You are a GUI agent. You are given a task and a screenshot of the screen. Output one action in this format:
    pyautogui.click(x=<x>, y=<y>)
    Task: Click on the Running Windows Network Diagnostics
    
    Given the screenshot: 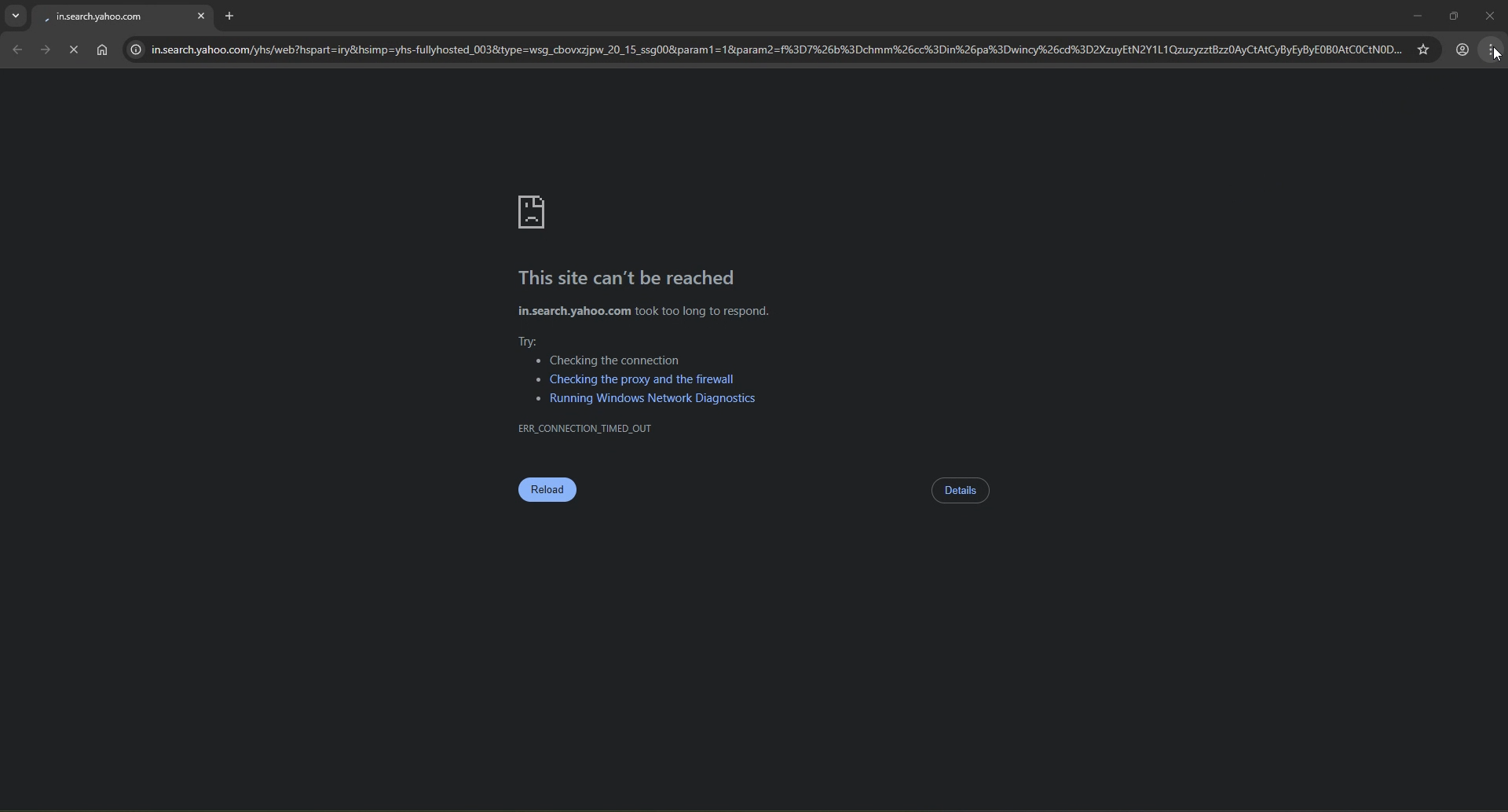 What is the action you would take?
    pyautogui.click(x=649, y=399)
    